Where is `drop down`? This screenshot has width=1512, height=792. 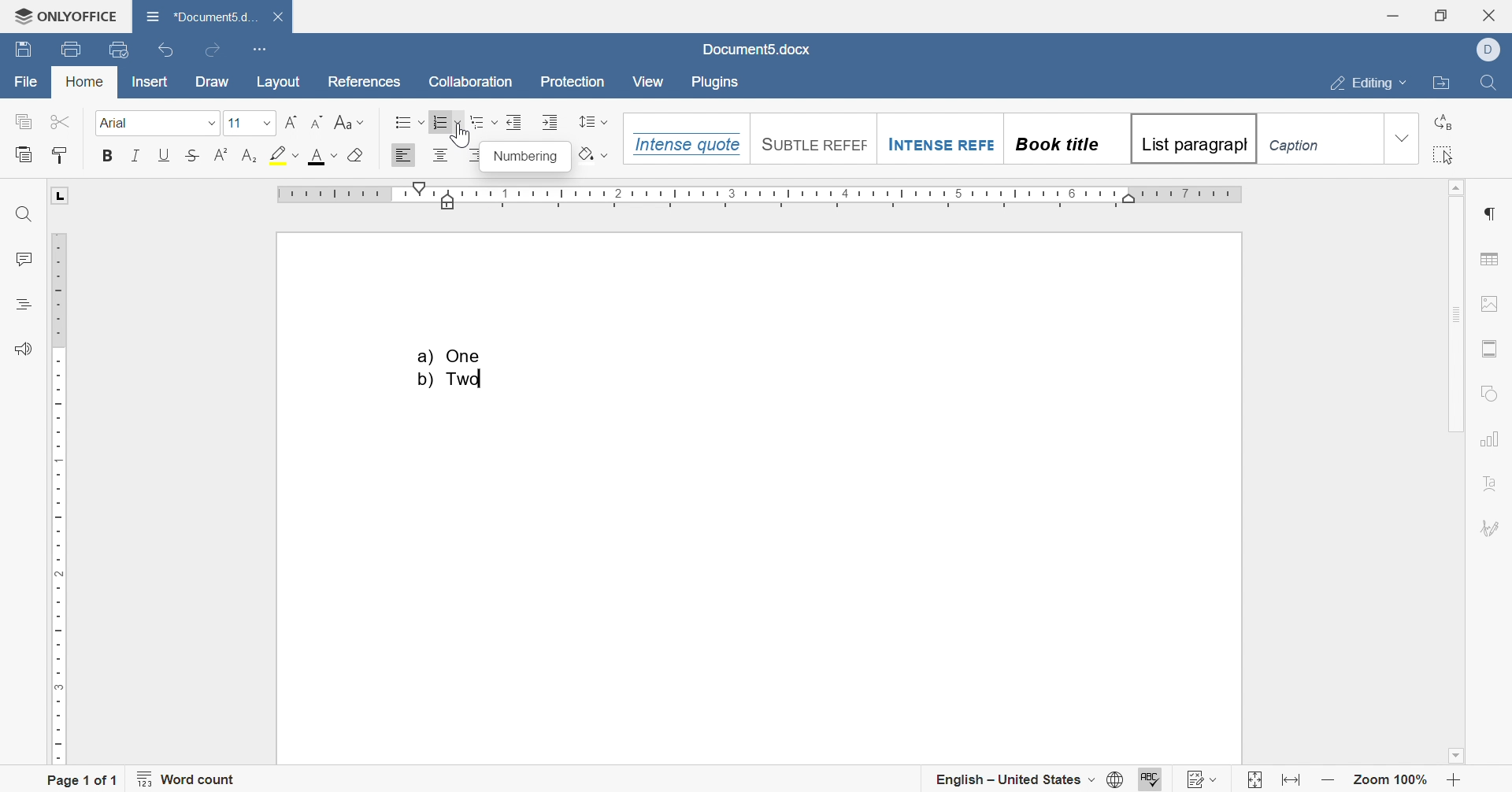 drop down is located at coordinates (267, 121).